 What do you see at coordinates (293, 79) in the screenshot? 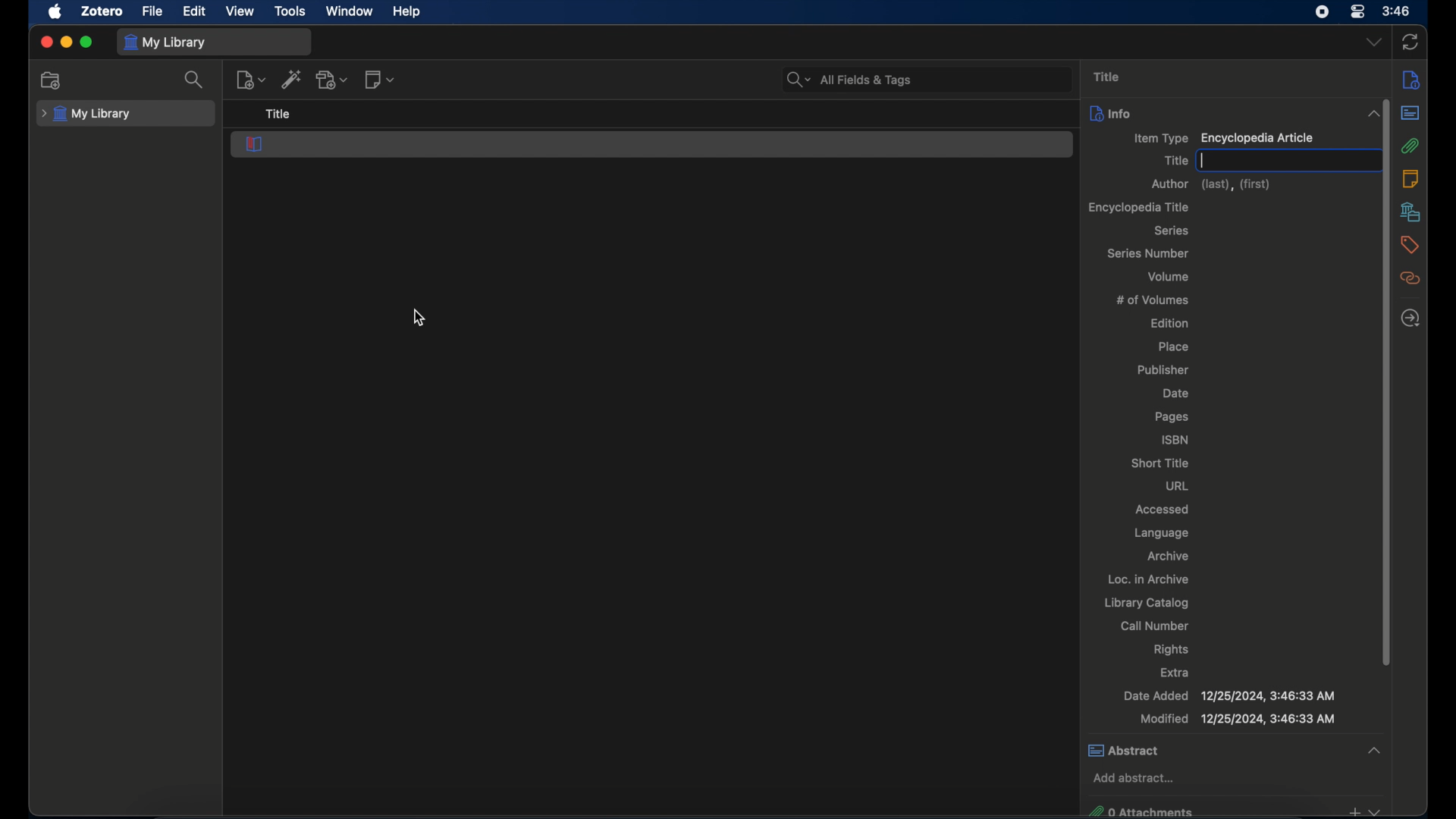
I see `add item by identifier` at bounding box center [293, 79].